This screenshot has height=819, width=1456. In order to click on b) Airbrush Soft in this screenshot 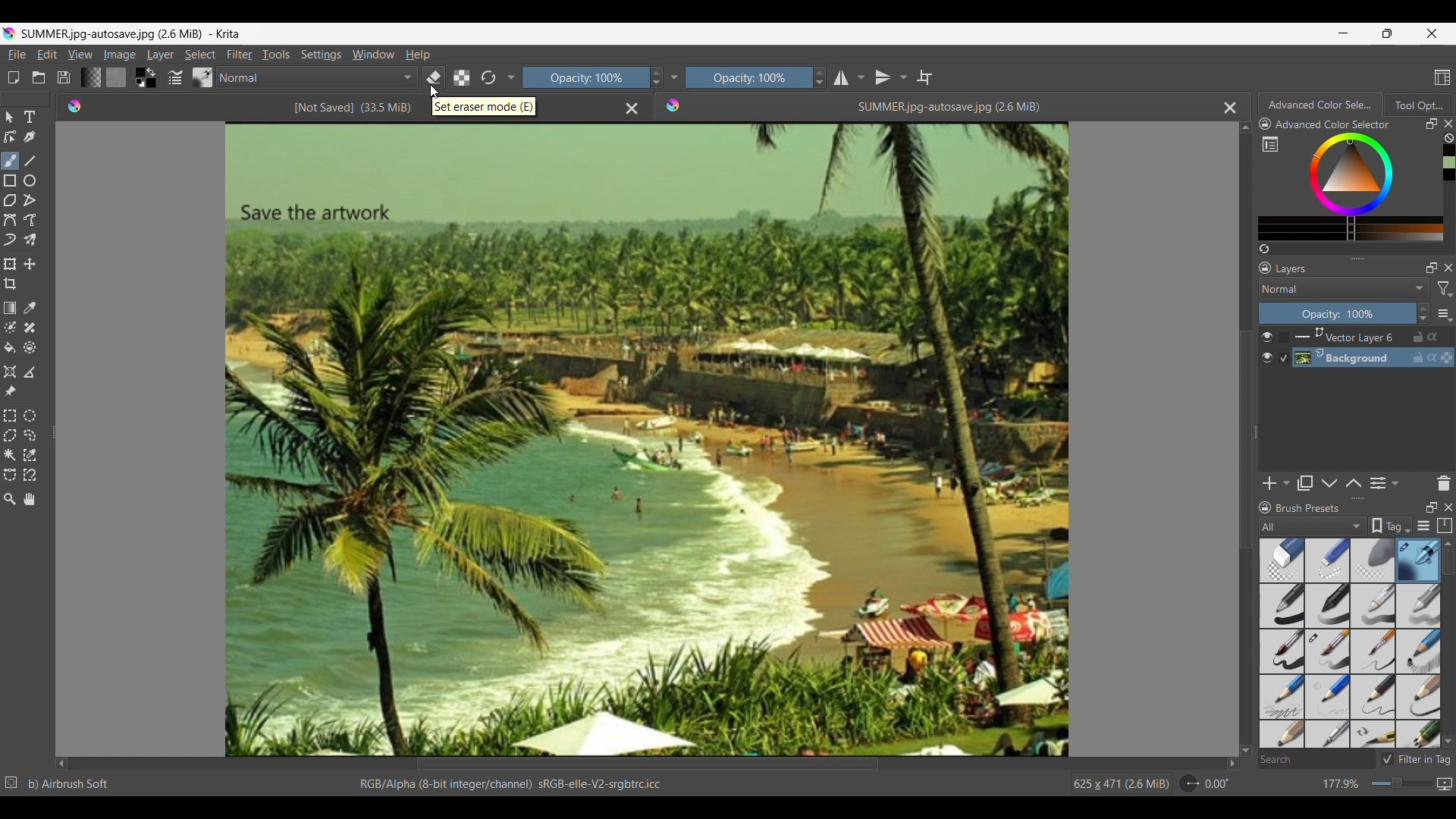, I will do `click(69, 784)`.